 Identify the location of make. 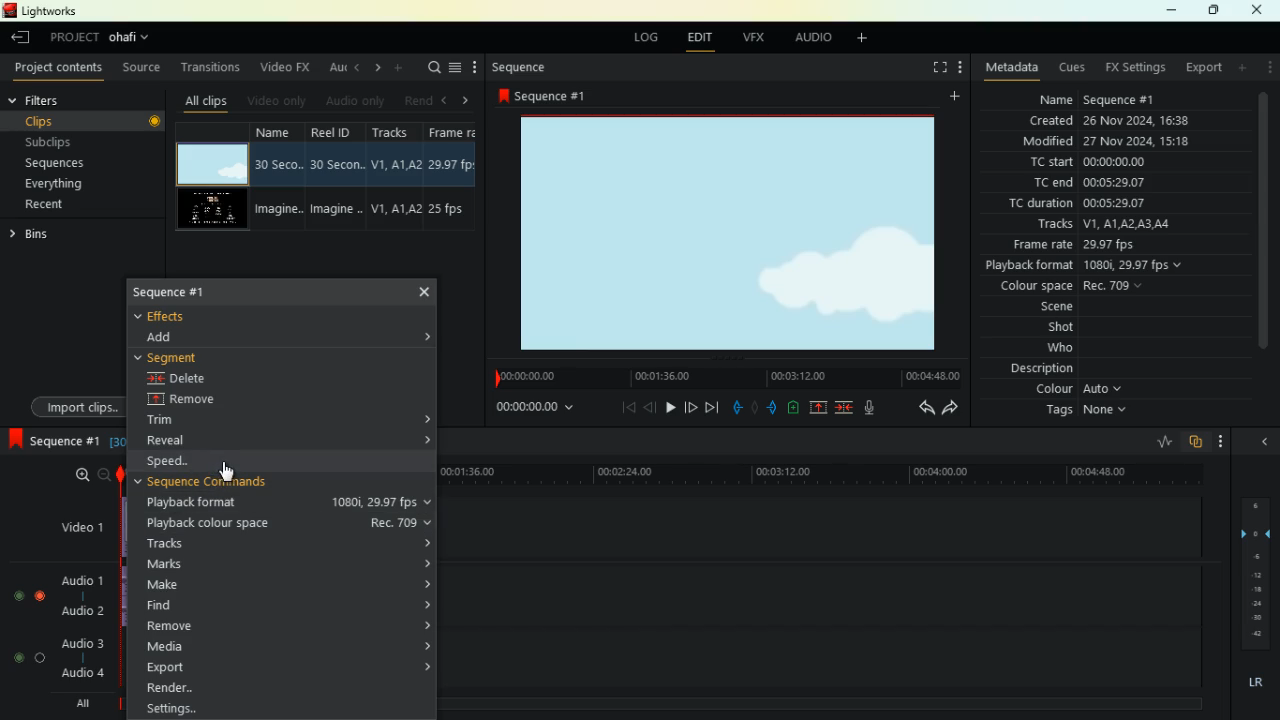
(286, 586).